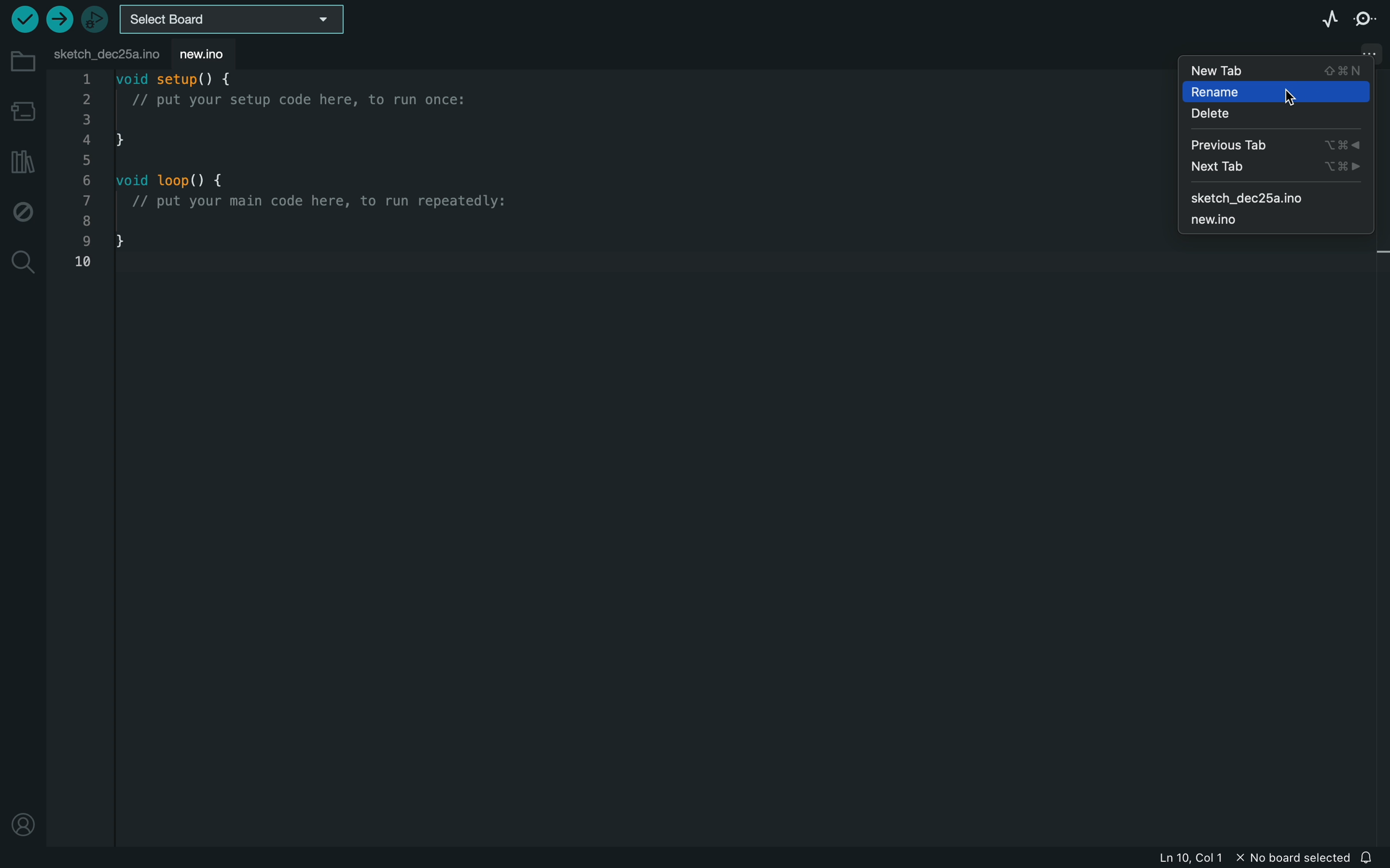 Image resolution: width=1390 pixels, height=868 pixels. Describe the element at coordinates (1275, 92) in the screenshot. I see `rename` at that location.